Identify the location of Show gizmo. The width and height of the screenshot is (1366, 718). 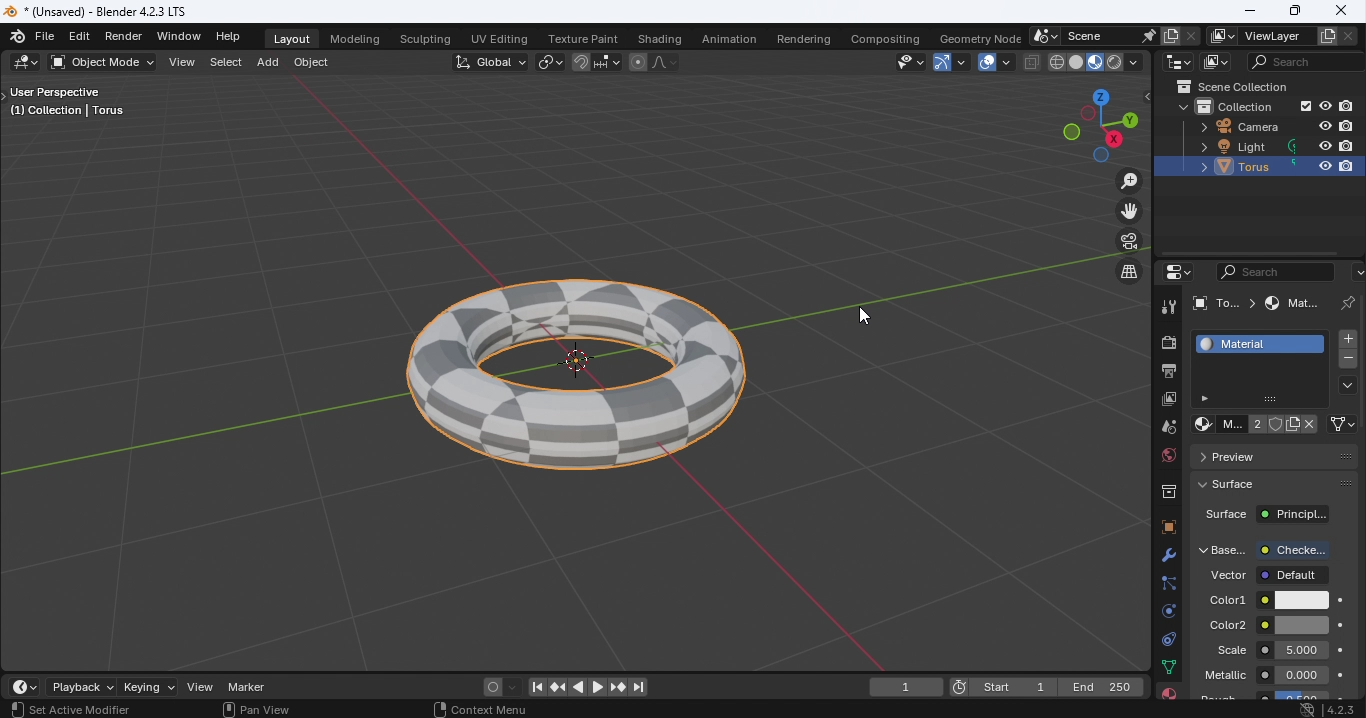
(952, 63).